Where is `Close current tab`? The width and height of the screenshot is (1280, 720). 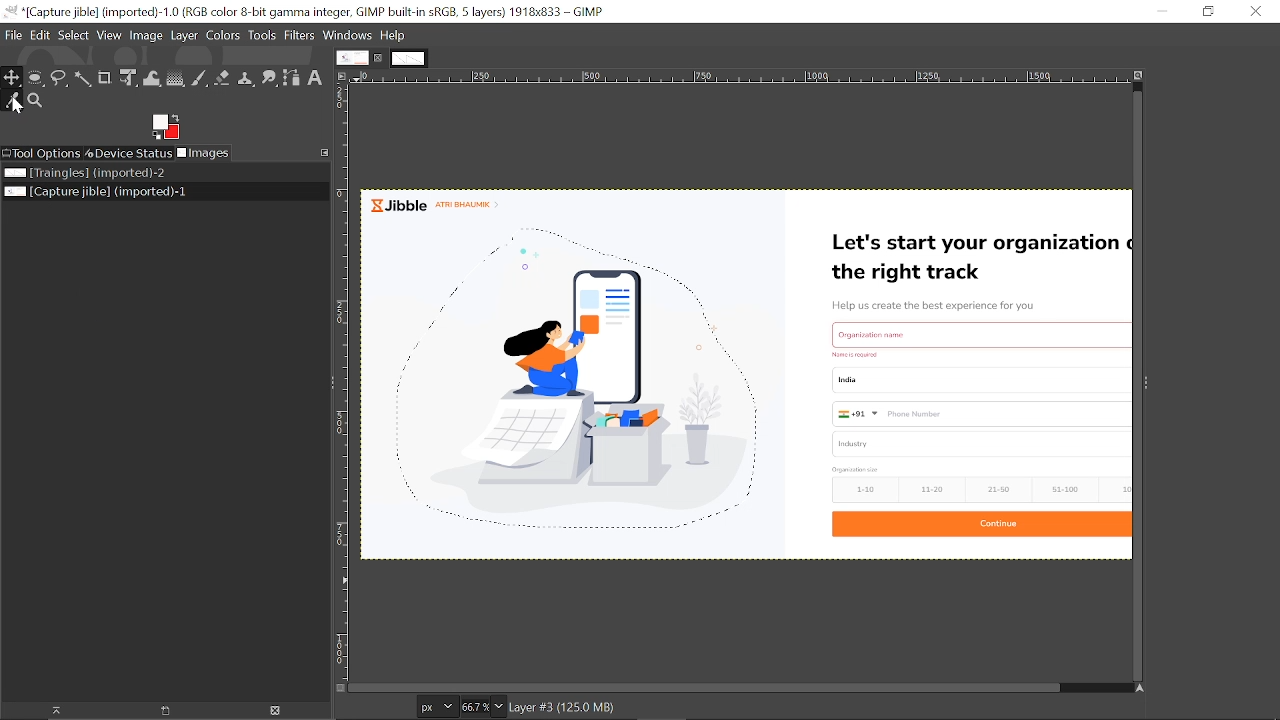
Close current tab is located at coordinates (379, 58).